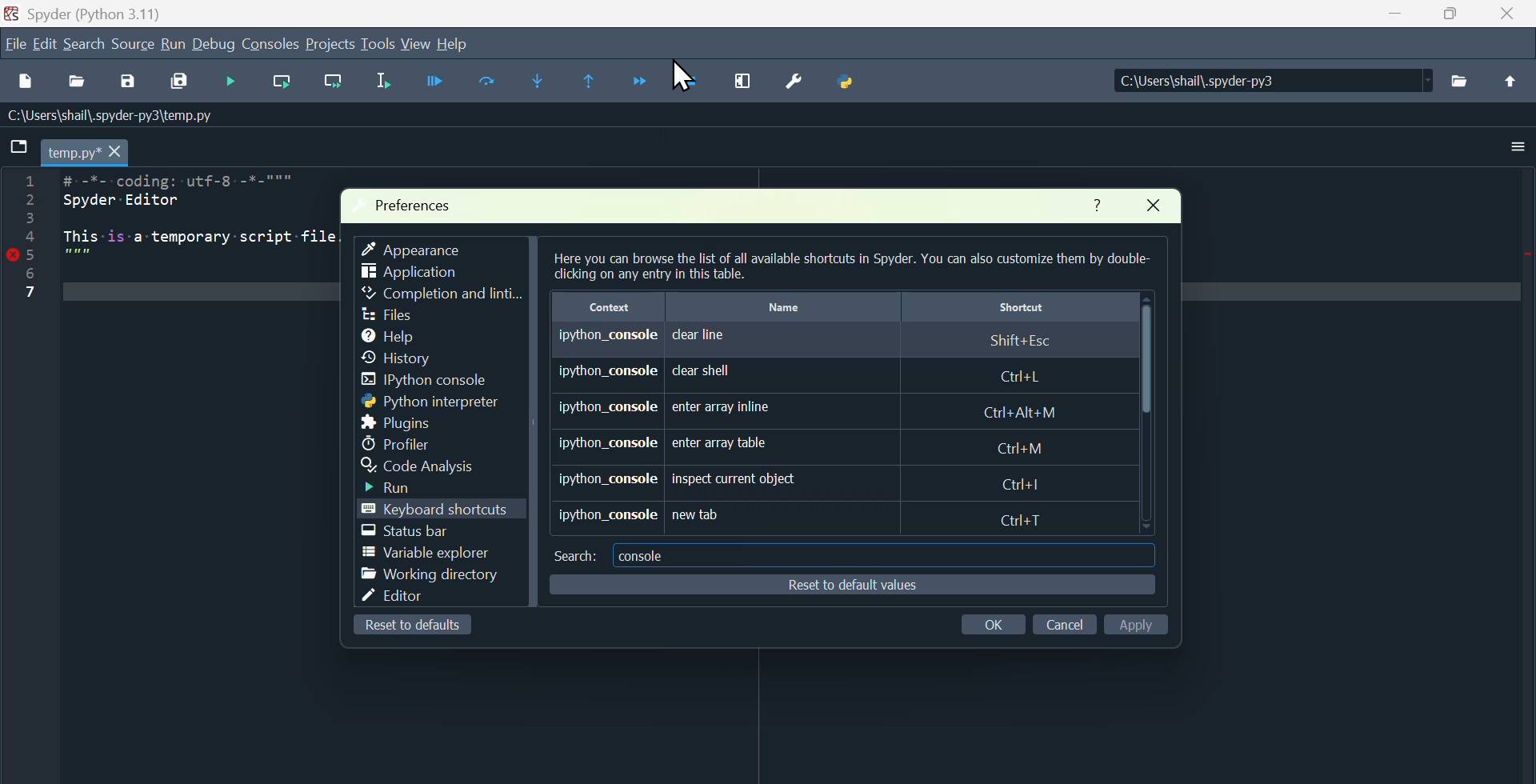 The width and height of the screenshot is (1536, 784). I want to click on Consoles, so click(271, 46).